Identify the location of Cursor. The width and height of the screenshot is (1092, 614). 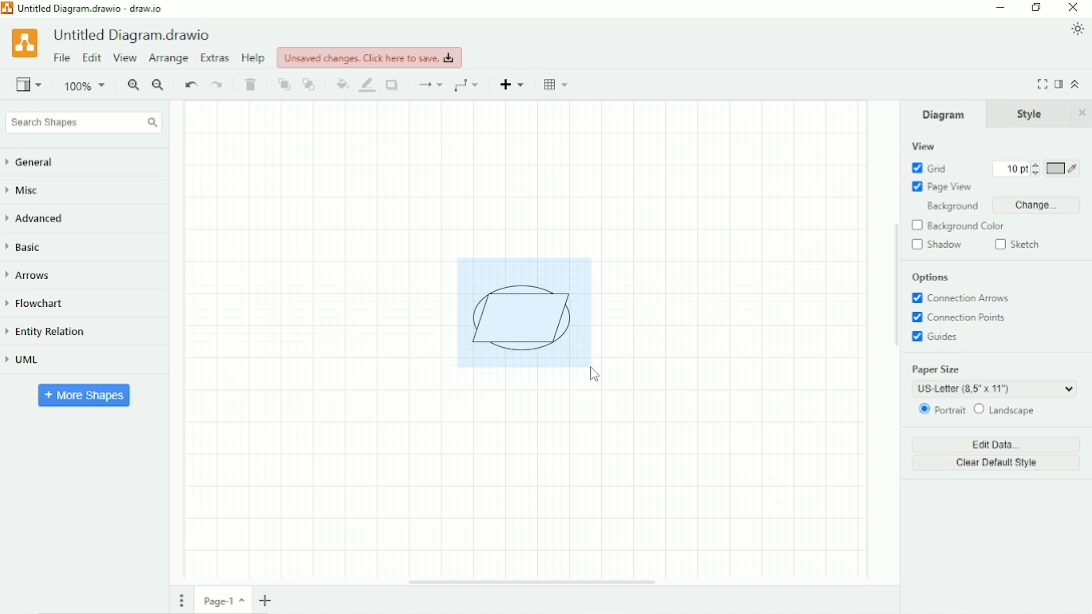
(597, 375).